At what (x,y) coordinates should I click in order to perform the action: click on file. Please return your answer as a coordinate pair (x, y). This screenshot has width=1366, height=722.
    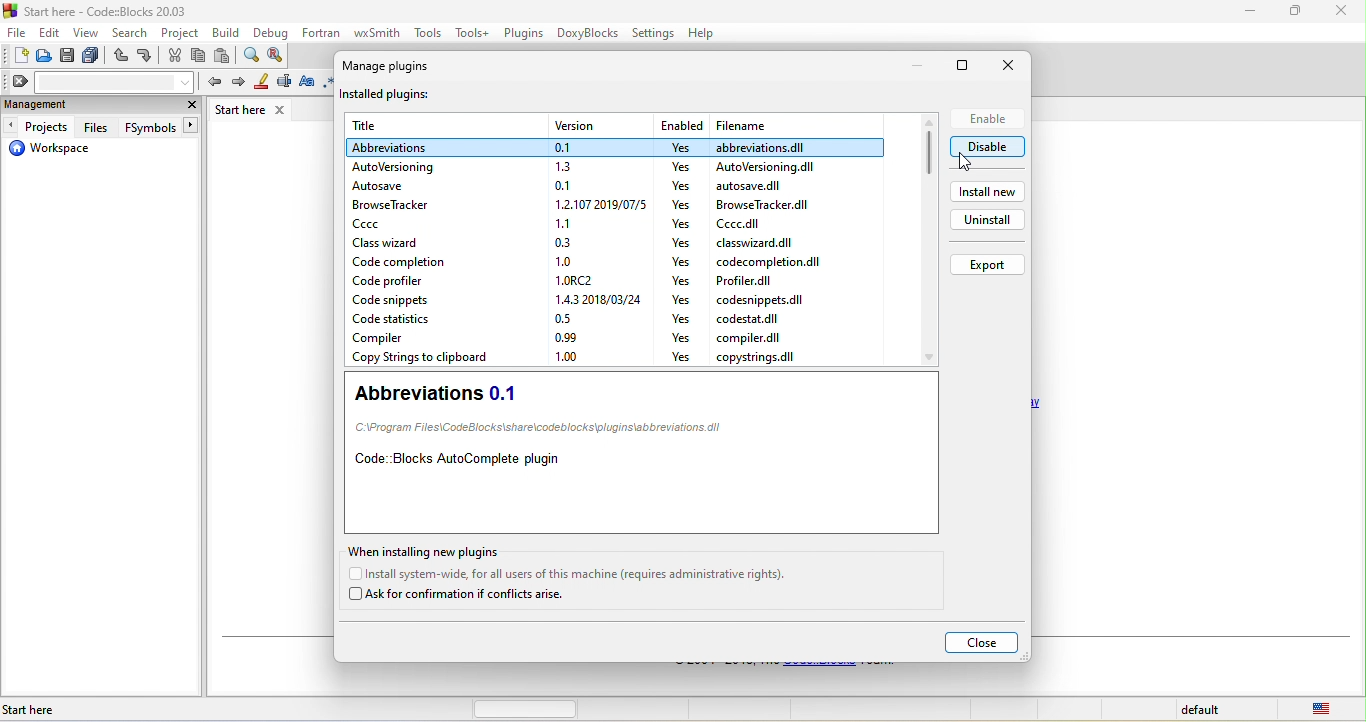
    Looking at the image, I should click on (762, 300).